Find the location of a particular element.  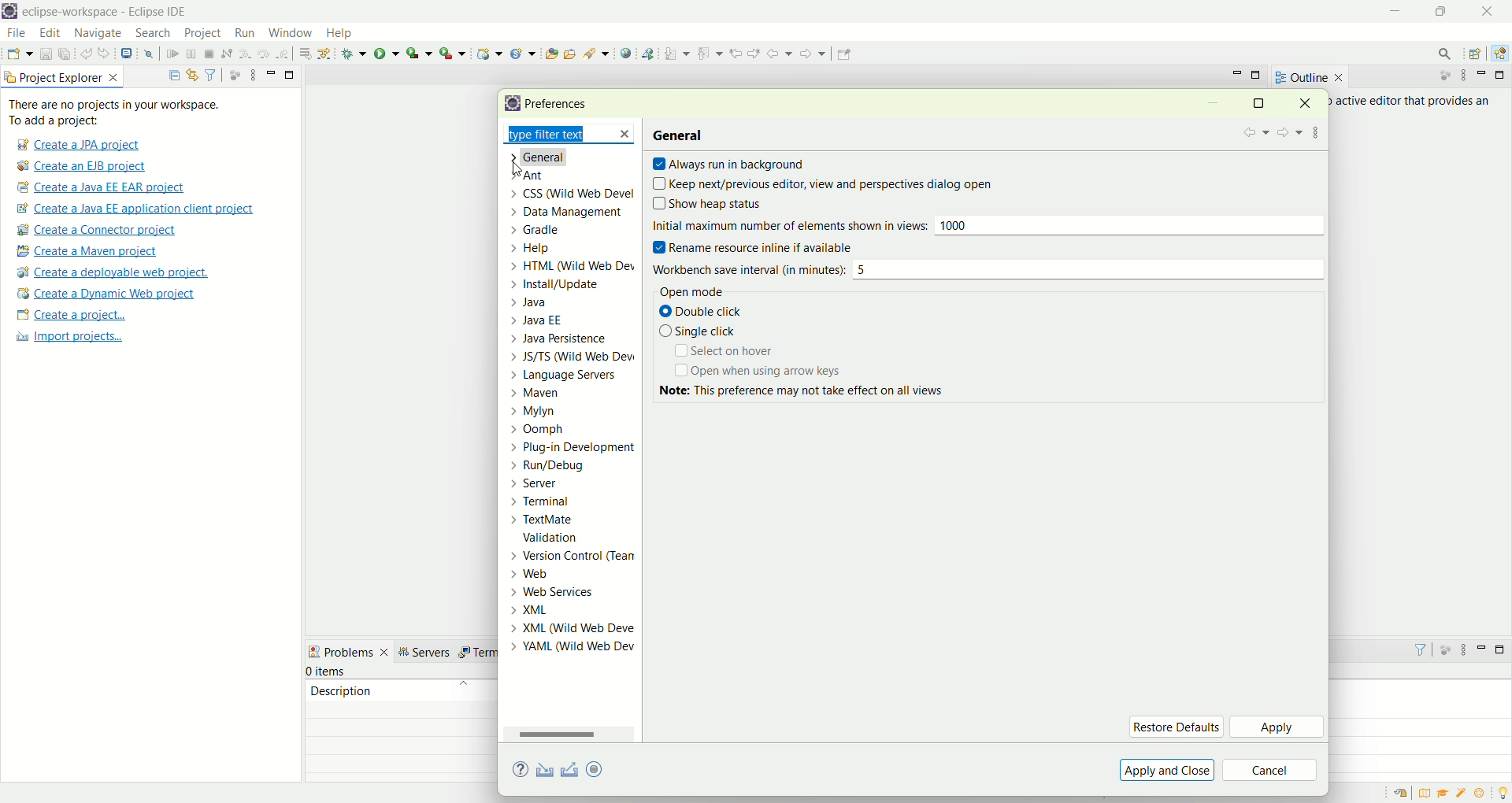

servers is located at coordinates (428, 652).